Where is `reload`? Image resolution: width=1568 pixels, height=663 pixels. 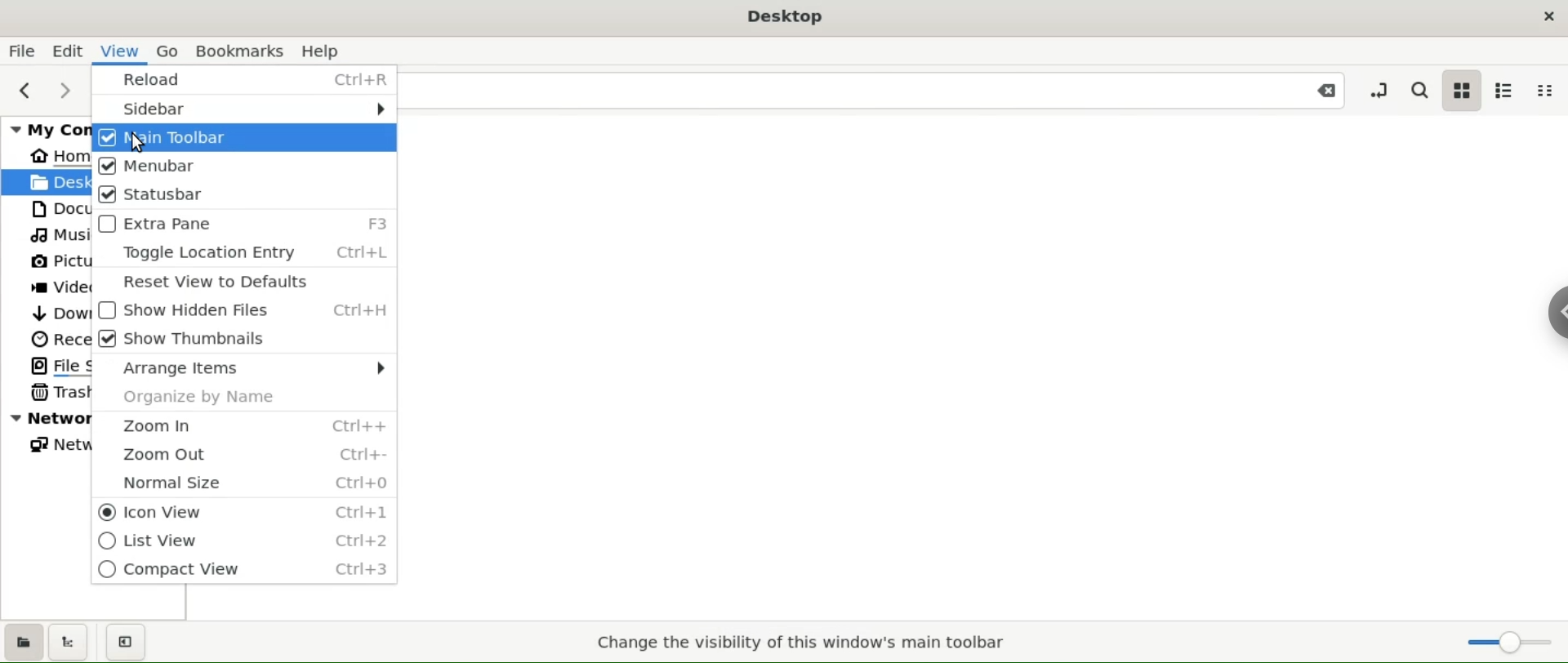 reload is located at coordinates (243, 82).